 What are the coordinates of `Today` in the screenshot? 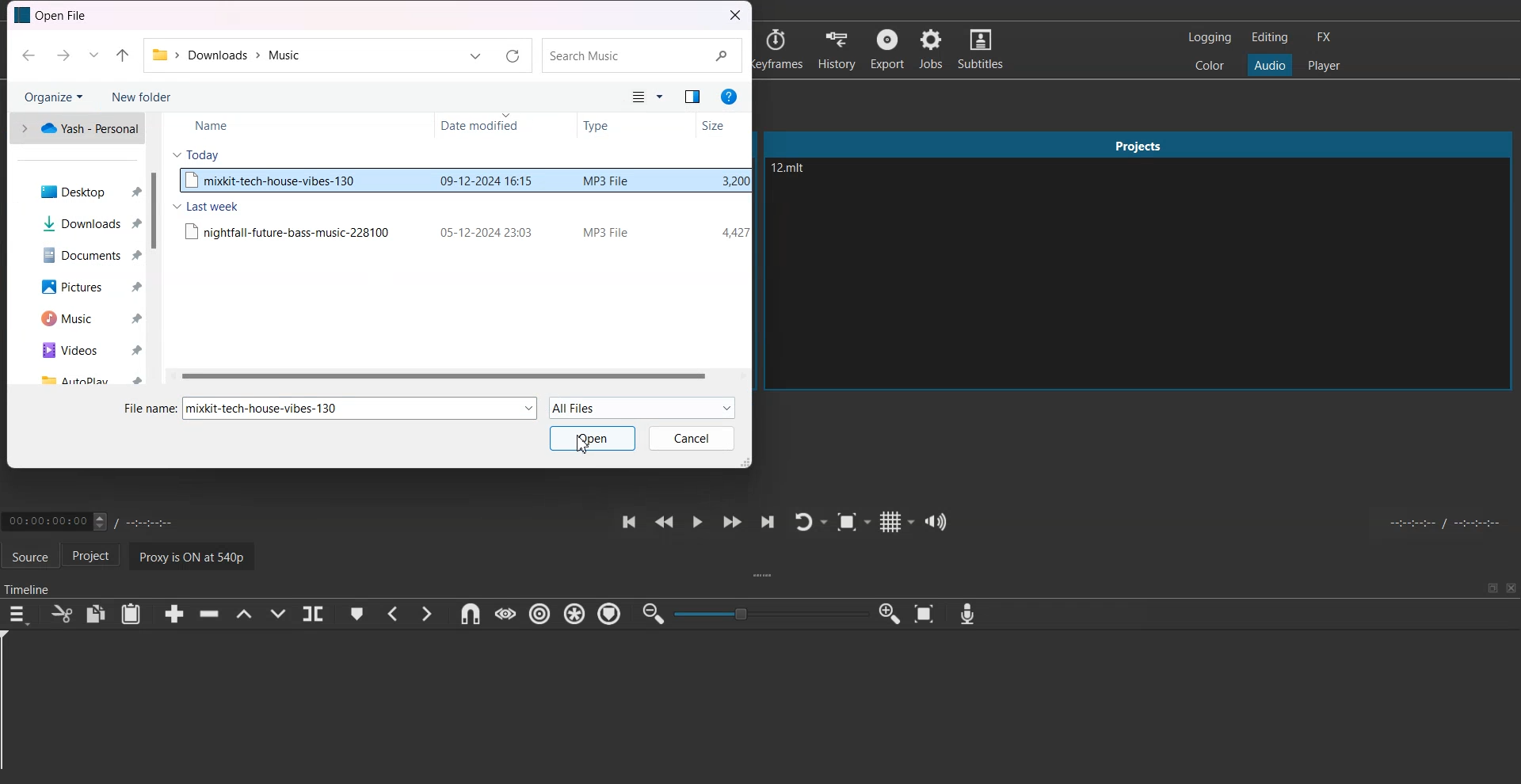 It's located at (196, 154).